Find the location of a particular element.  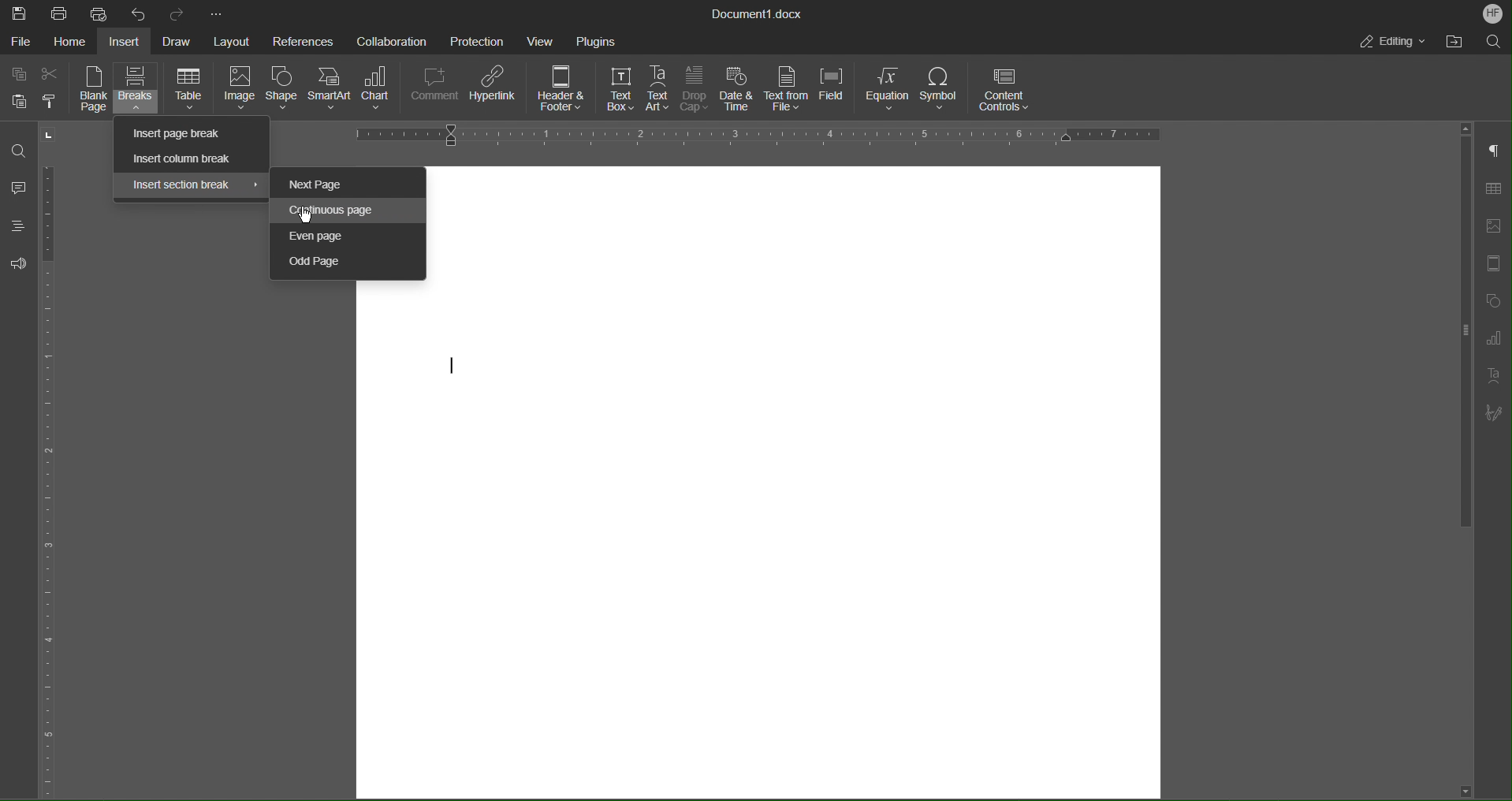

Equation is located at coordinates (884, 91).